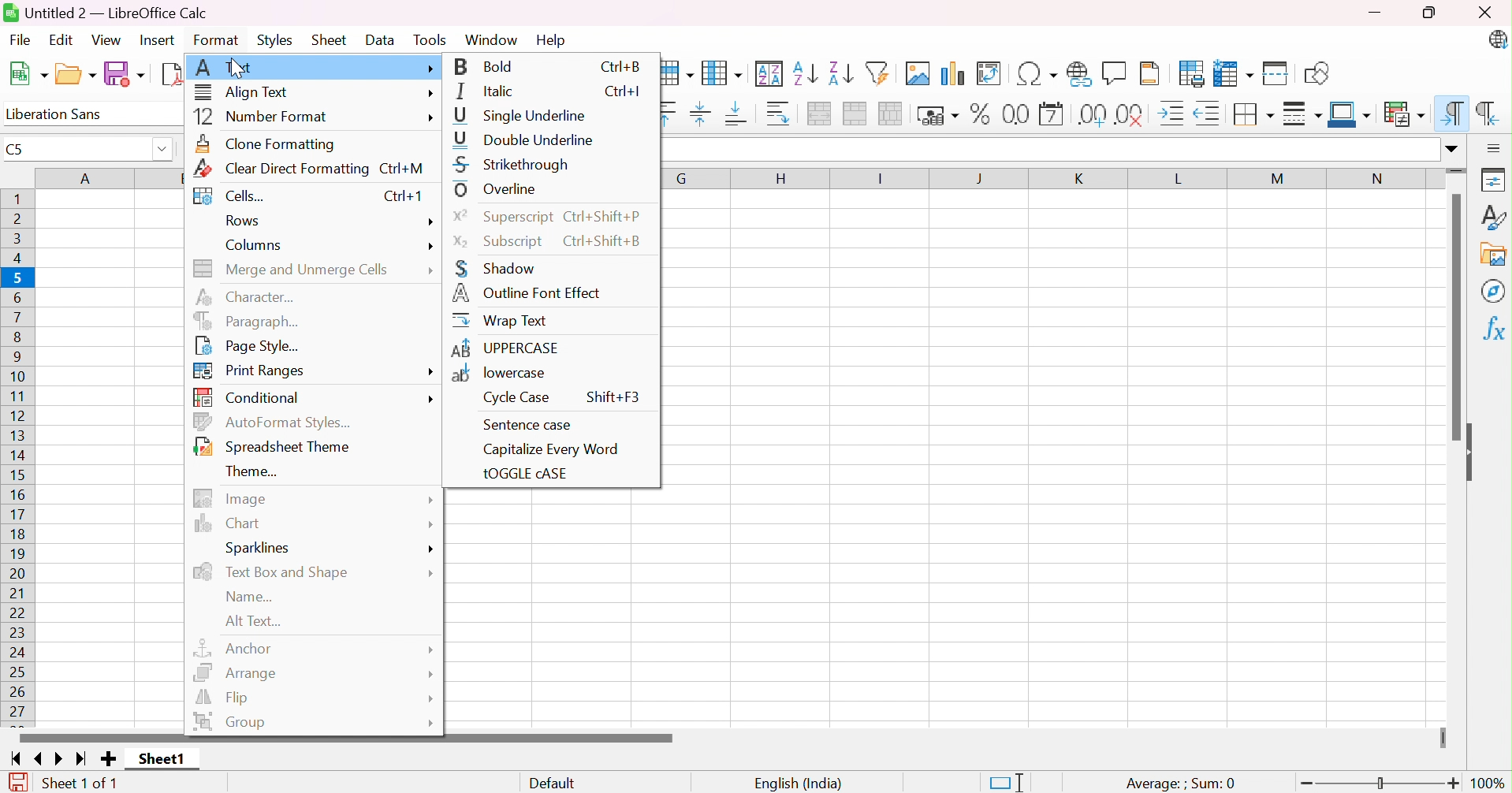 The height and width of the screenshot is (793, 1512). What do you see at coordinates (497, 189) in the screenshot?
I see `Overline` at bounding box center [497, 189].